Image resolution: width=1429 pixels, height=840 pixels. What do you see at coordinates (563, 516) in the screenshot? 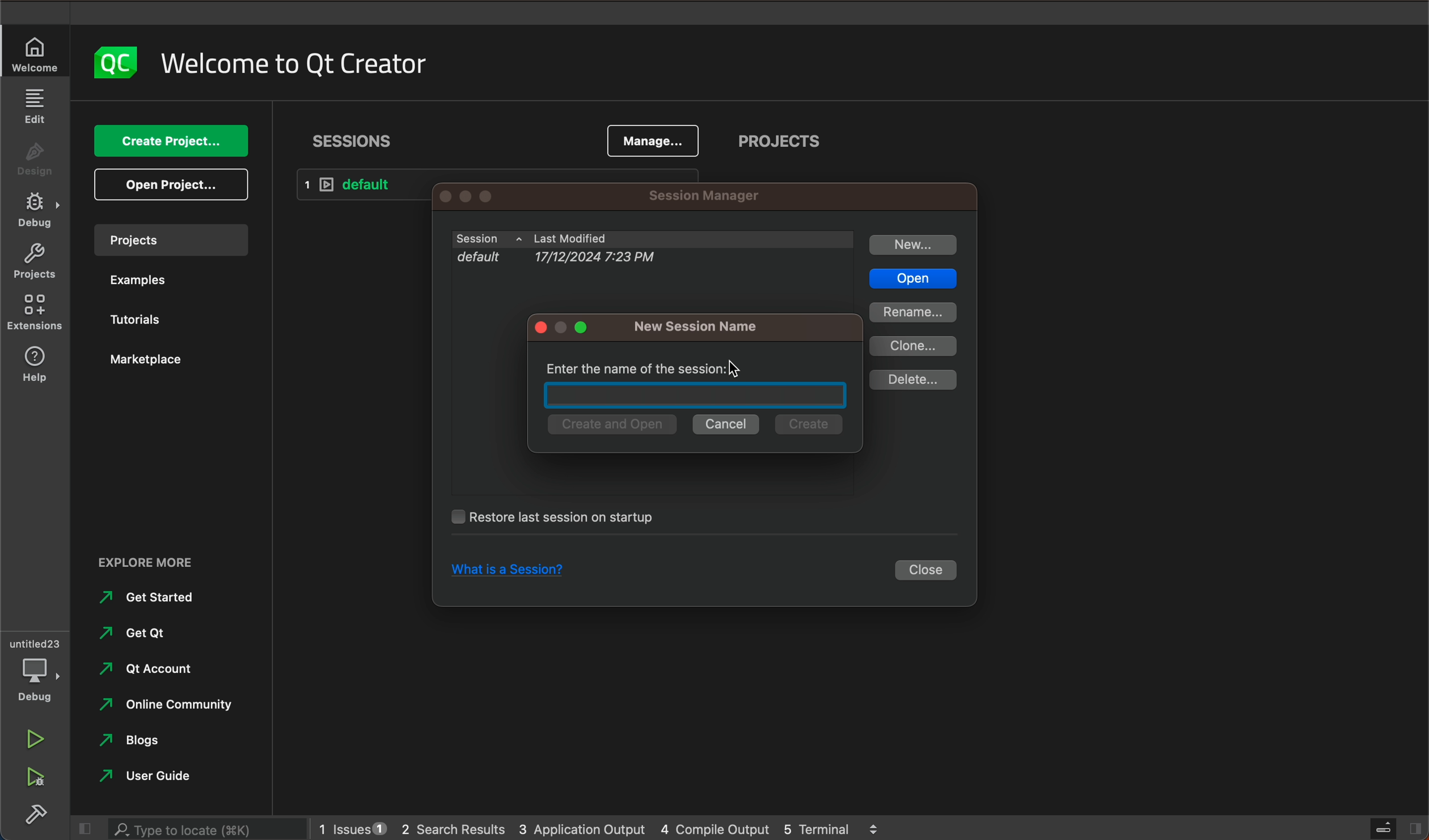
I see `restore last session on startup` at bounding box center [563, 516].